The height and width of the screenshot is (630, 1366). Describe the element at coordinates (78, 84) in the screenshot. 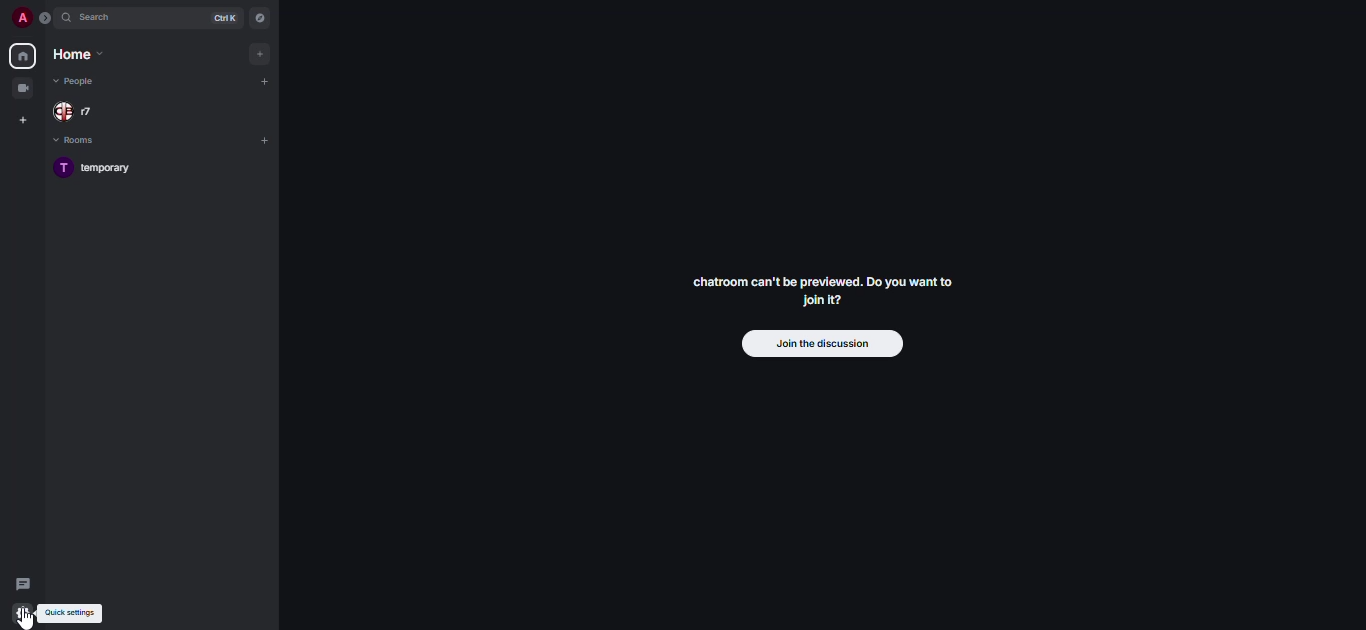

I see `people` at that location.